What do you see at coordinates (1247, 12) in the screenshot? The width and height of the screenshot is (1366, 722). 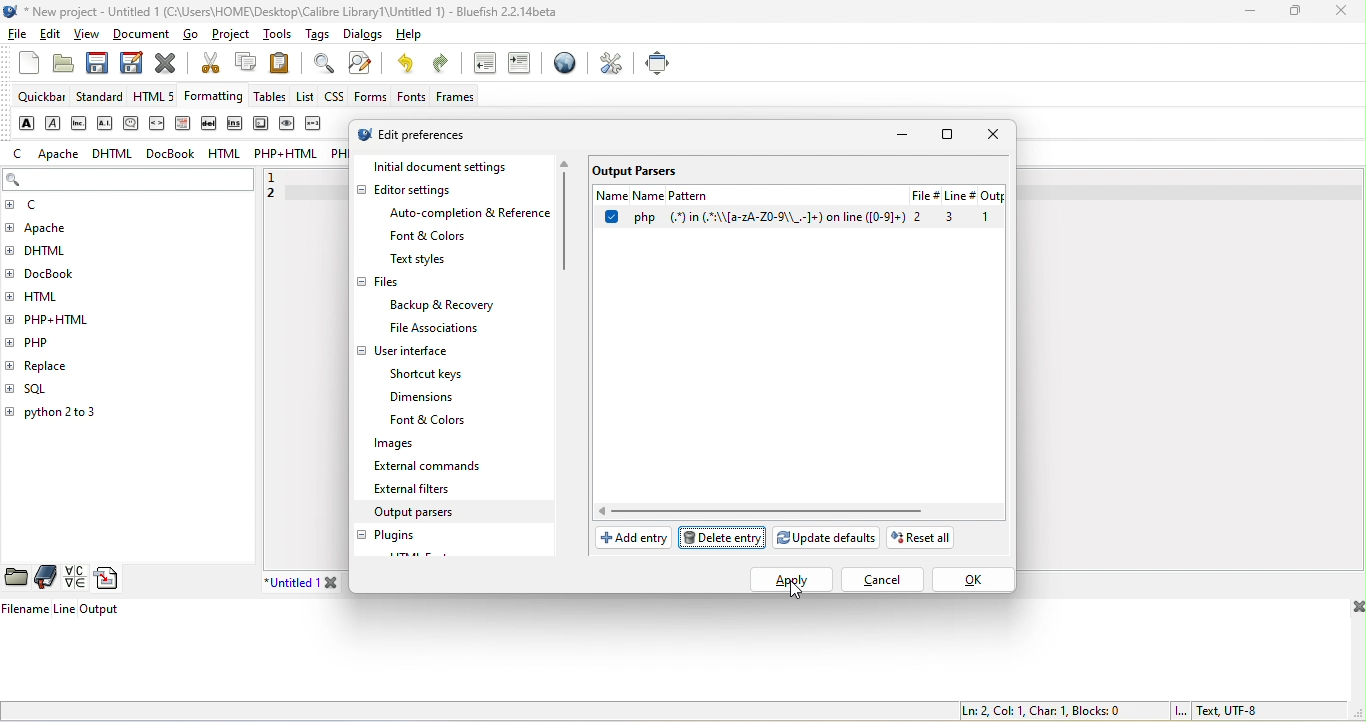 I see `minimize` at bounding box center [1247, 12].